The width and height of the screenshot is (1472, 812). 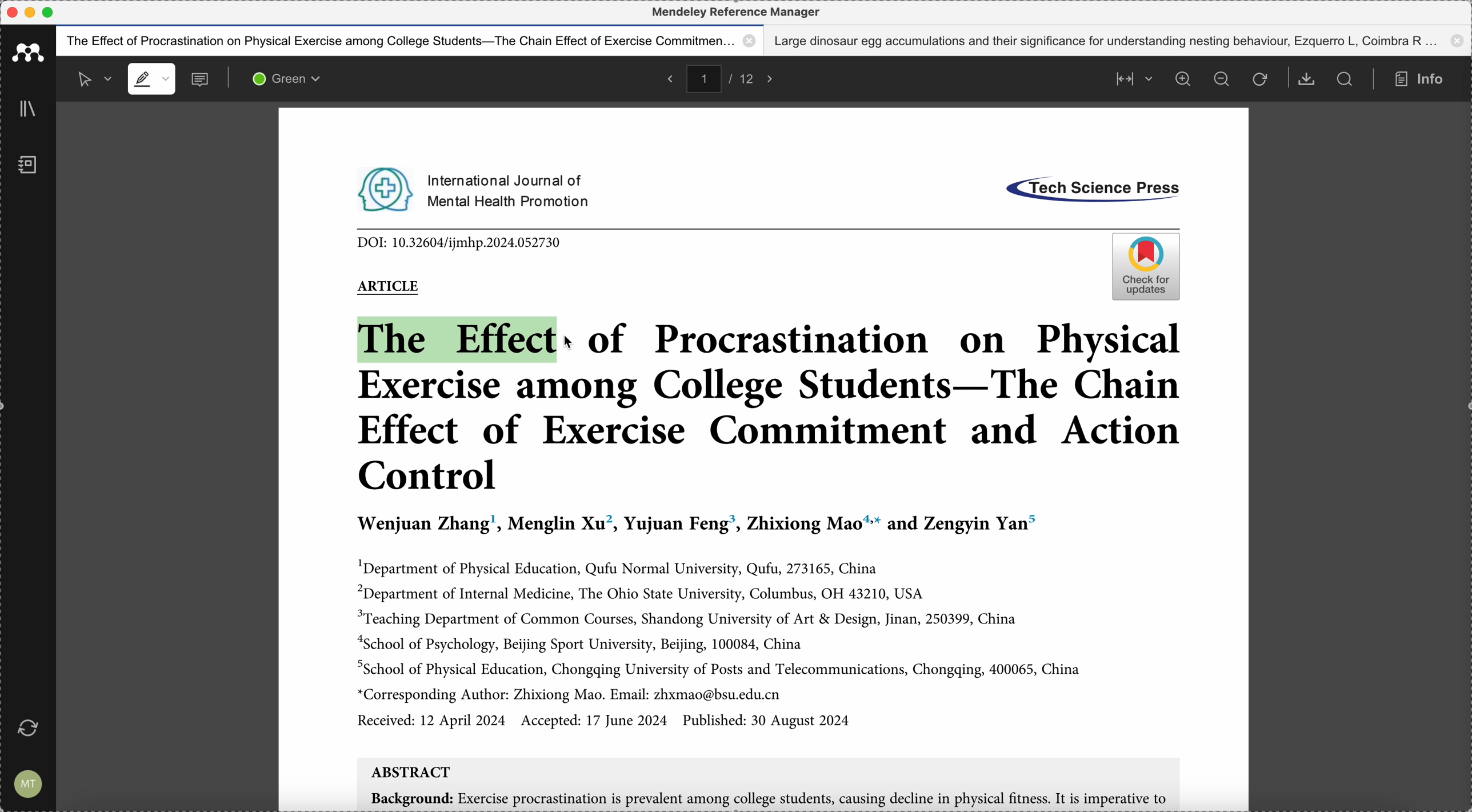 What do you see at coordinates (668, 78) in the screenshot?
I see `back` at bounding box center [668, 78].